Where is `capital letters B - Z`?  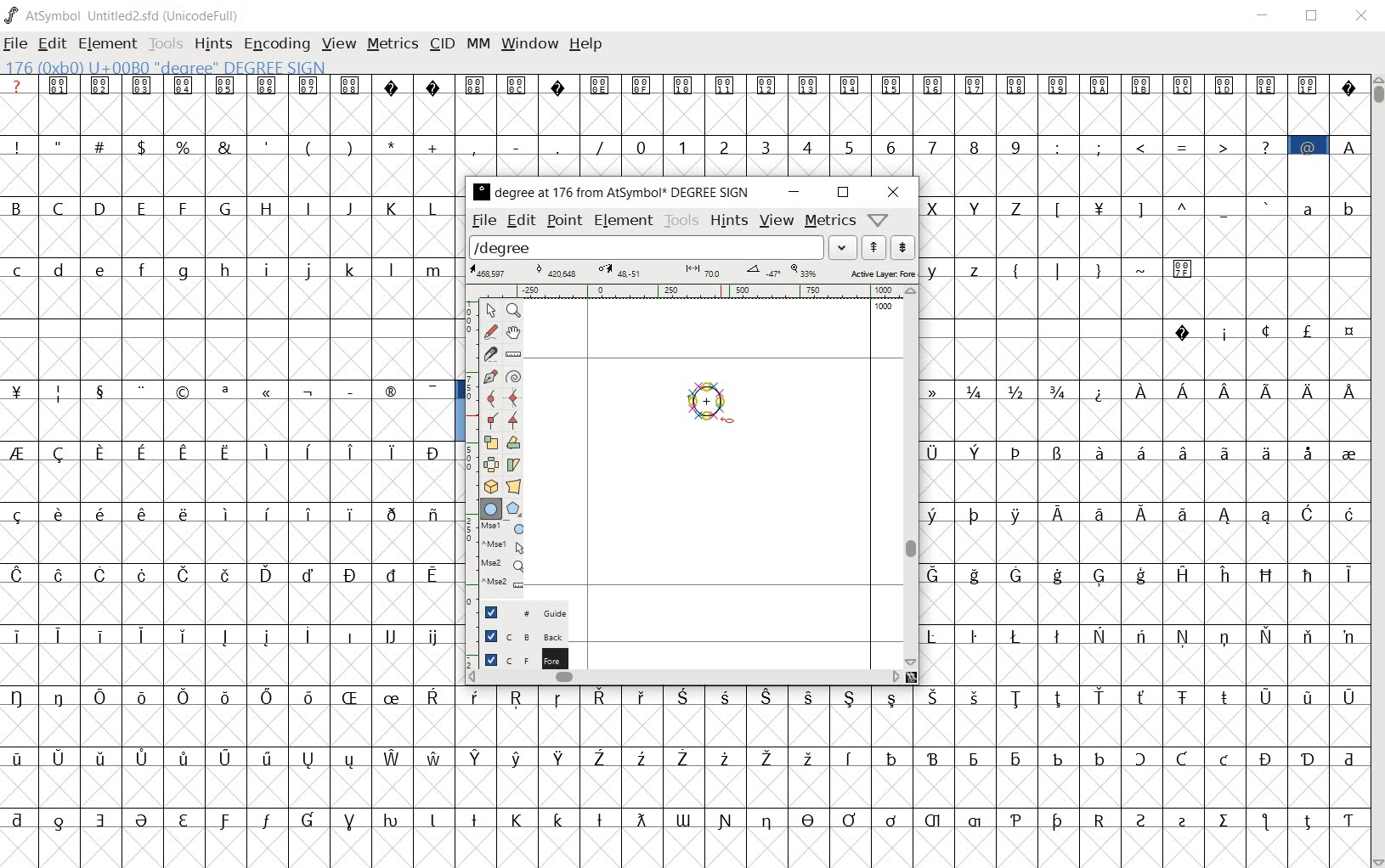
capital letters B - Z is located at coordinates (230, 206).